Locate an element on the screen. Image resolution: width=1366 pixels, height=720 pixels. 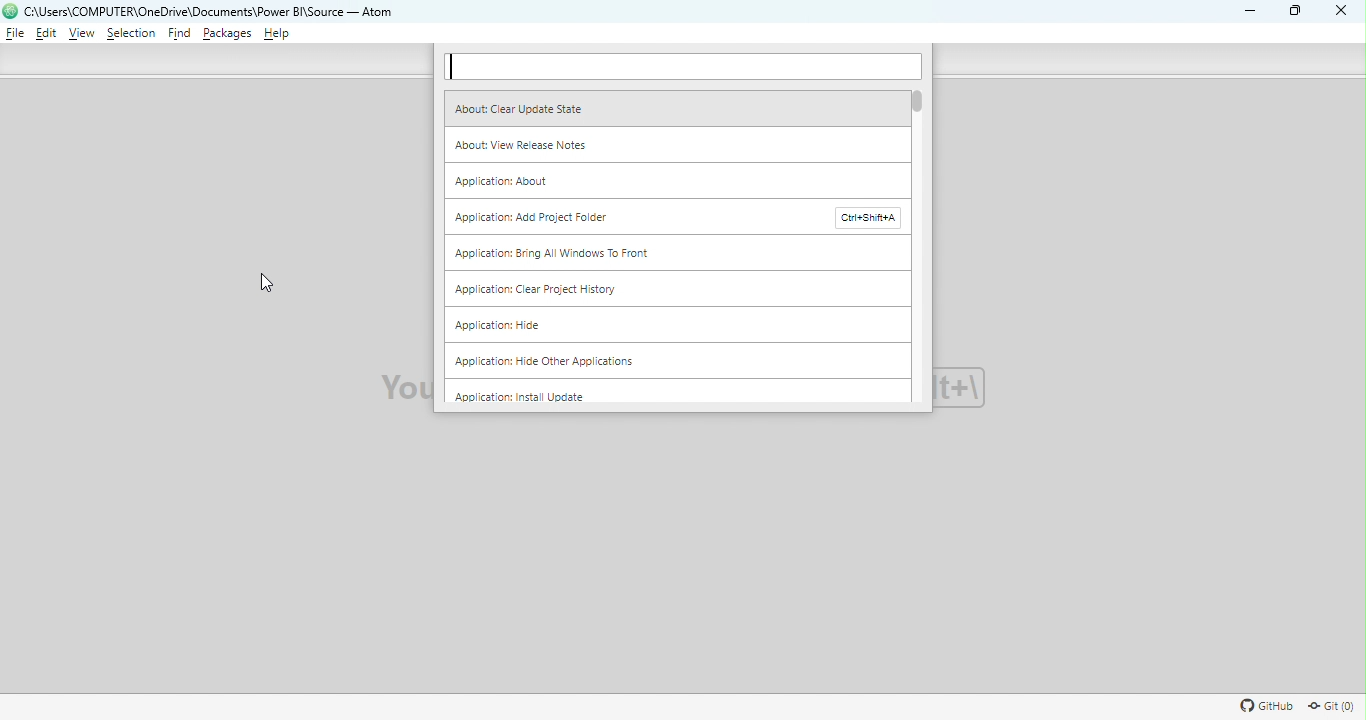
GitHub is located at coordinates (1264, 708).